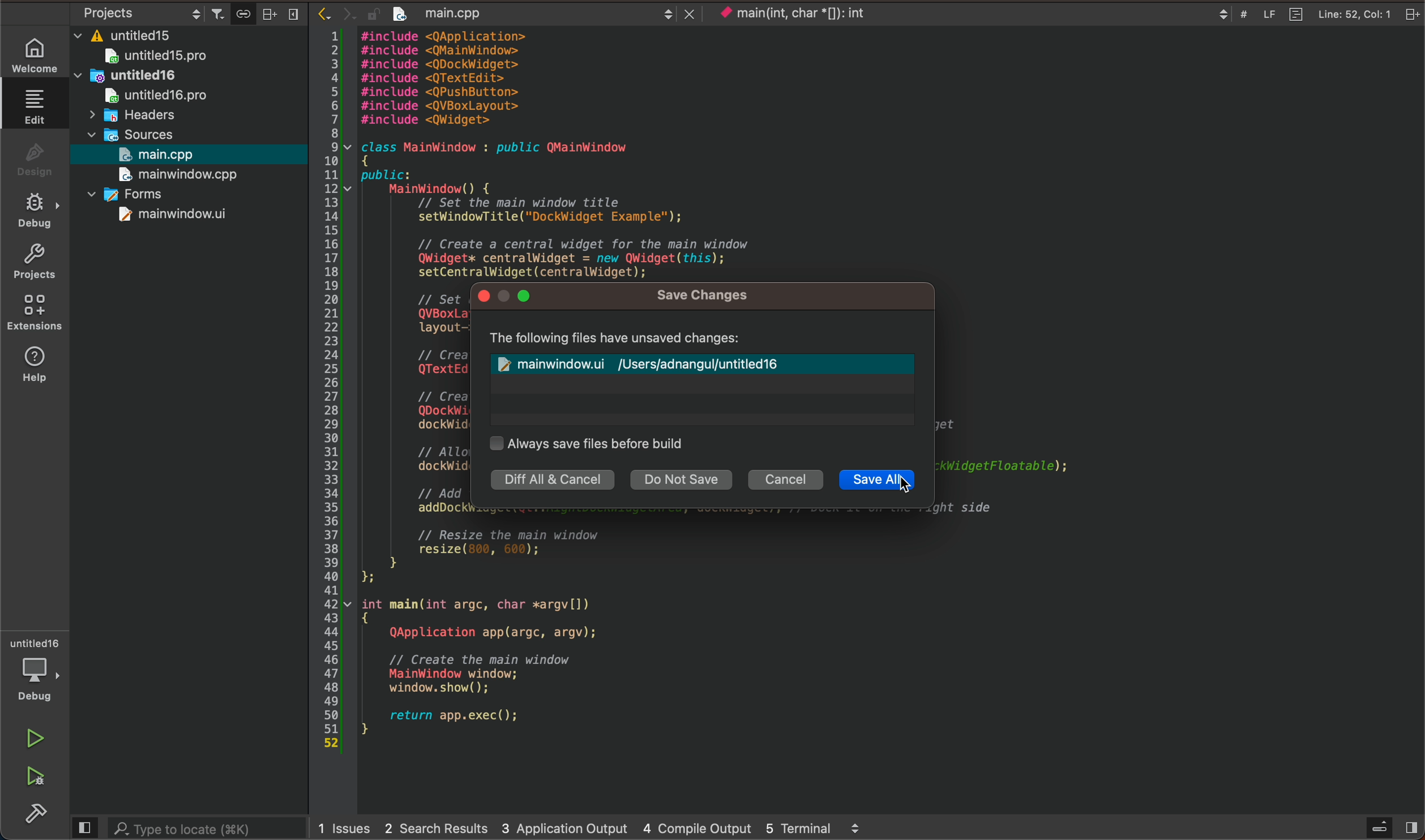  I want to click on sources, so click(141, 132).